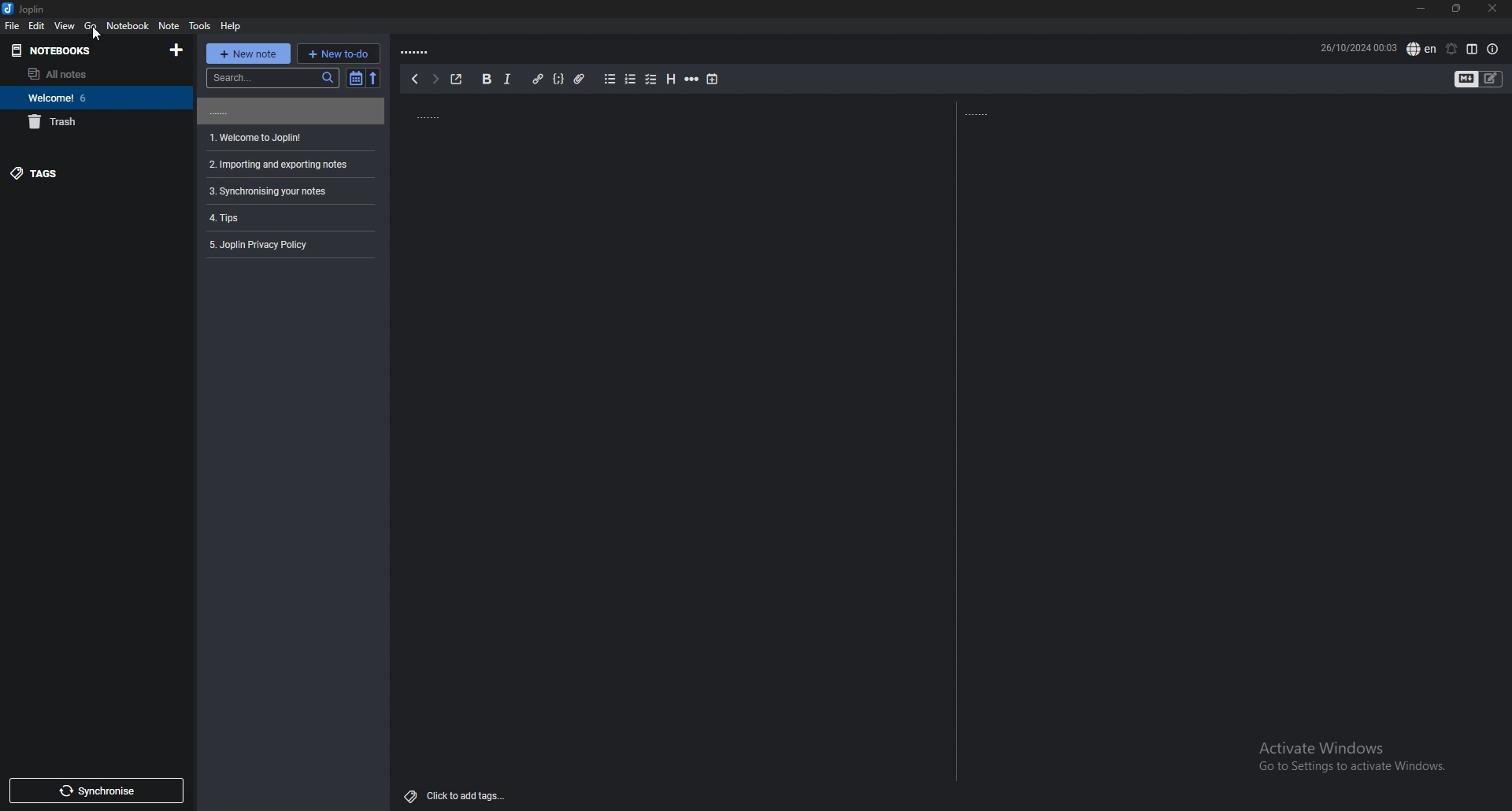  Describe the element at coordinates (128, 25) in the screenshot. I see `notebook` at that location.